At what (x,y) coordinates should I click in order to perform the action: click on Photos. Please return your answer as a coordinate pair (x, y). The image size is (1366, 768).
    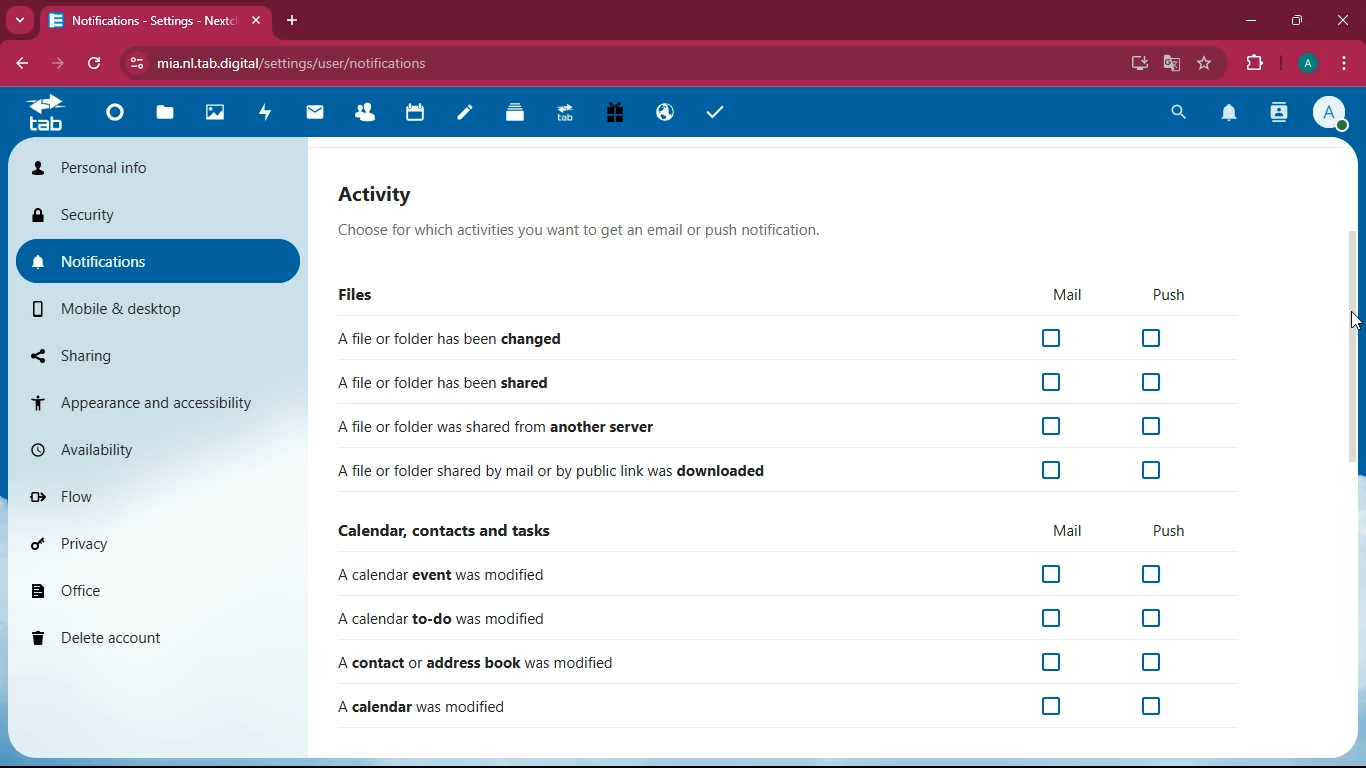
    Looking at the image, I should click on (216, 114).